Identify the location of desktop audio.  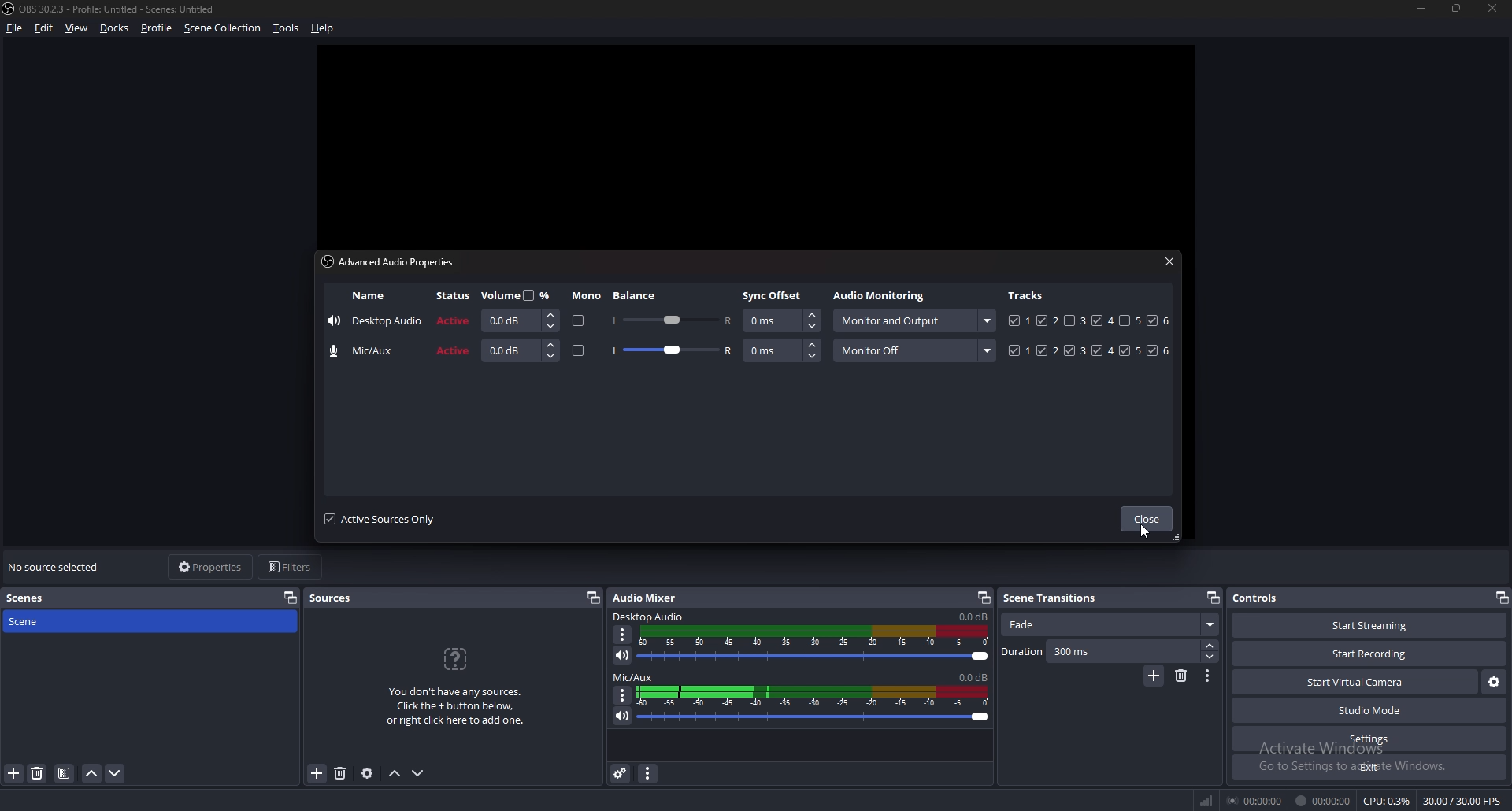
(650, 617).